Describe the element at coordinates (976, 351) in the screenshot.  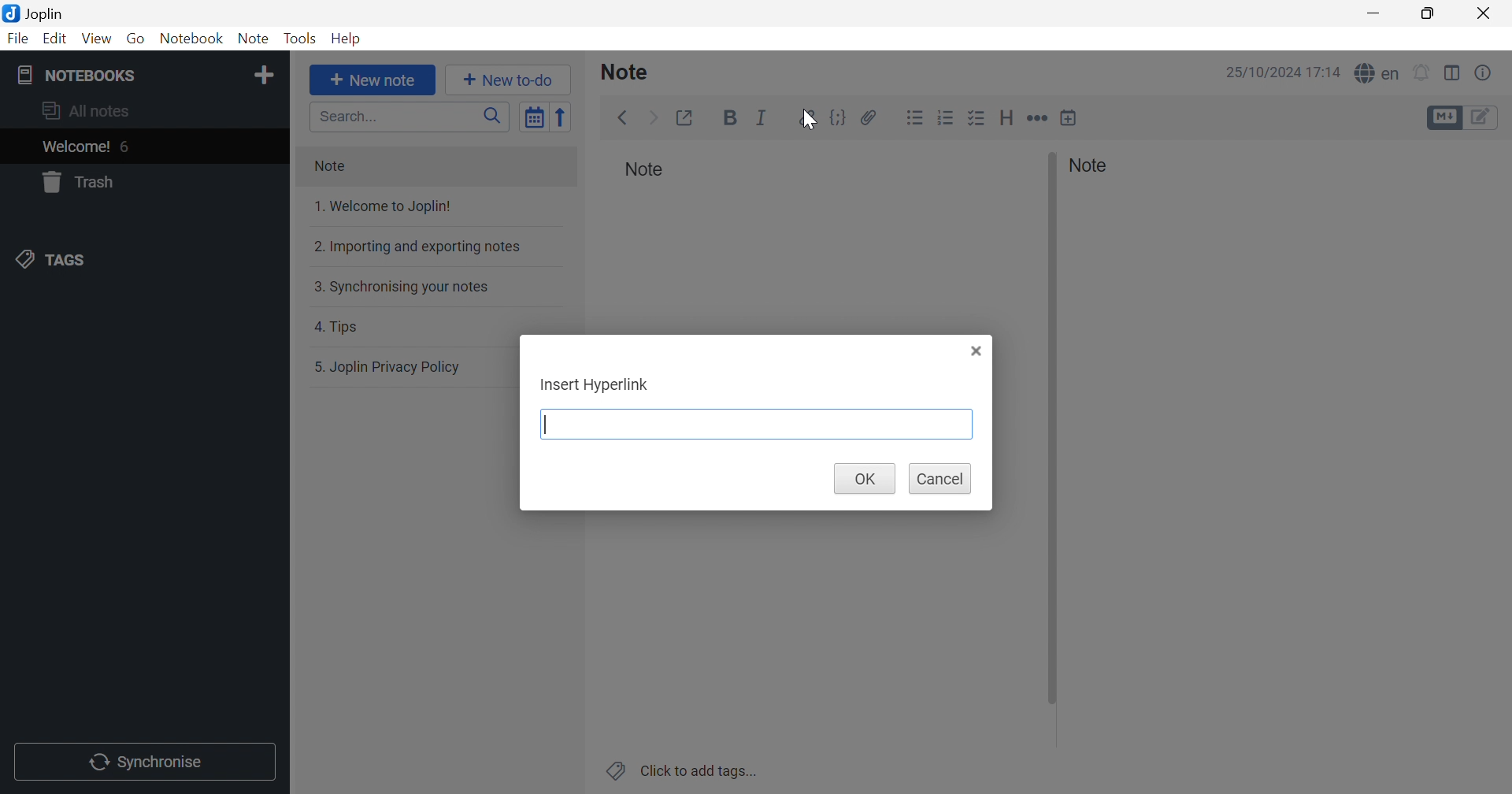
I see `Close` at that location.